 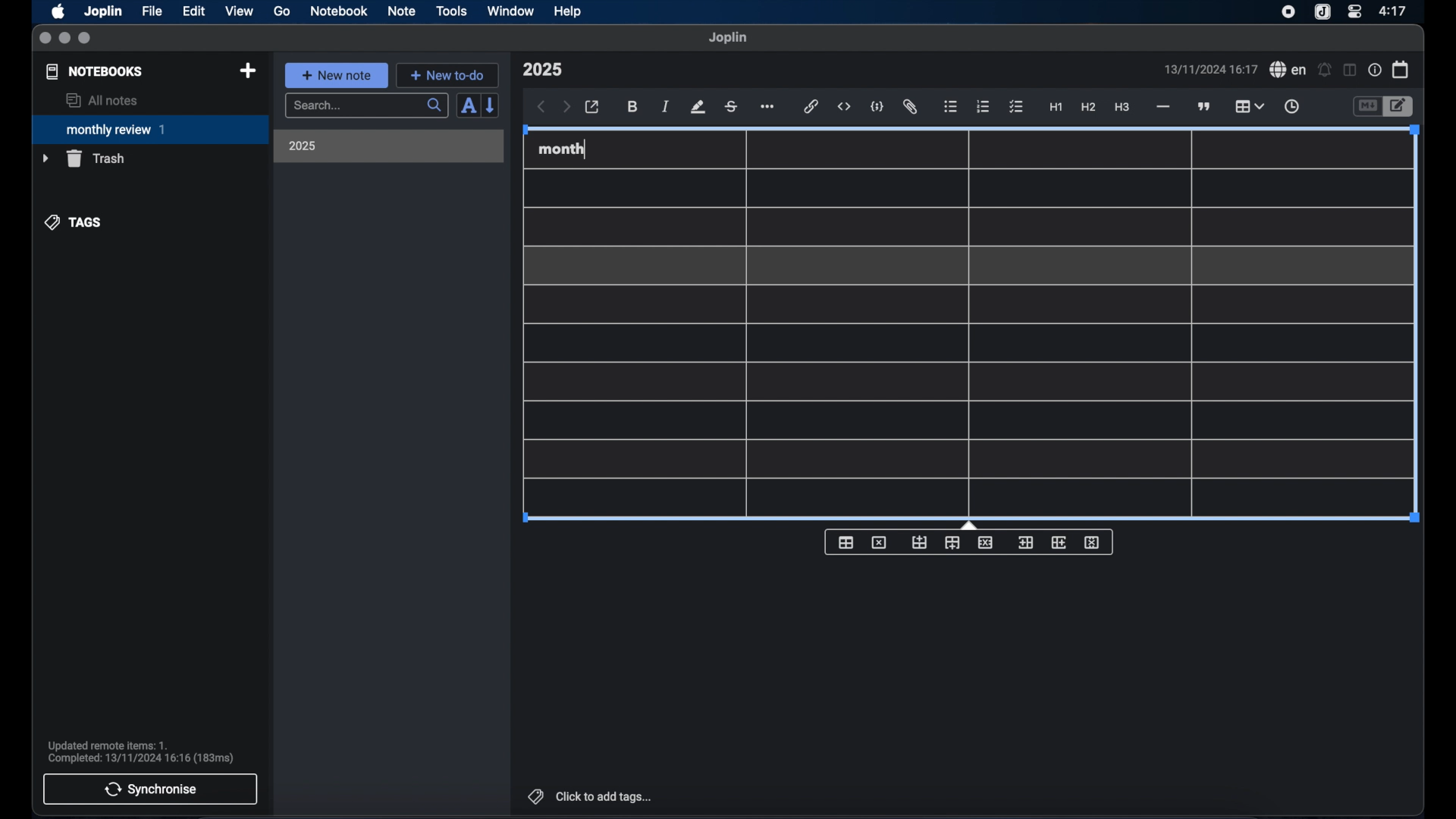 I want to click on notebook, so click(x=339, y=11).